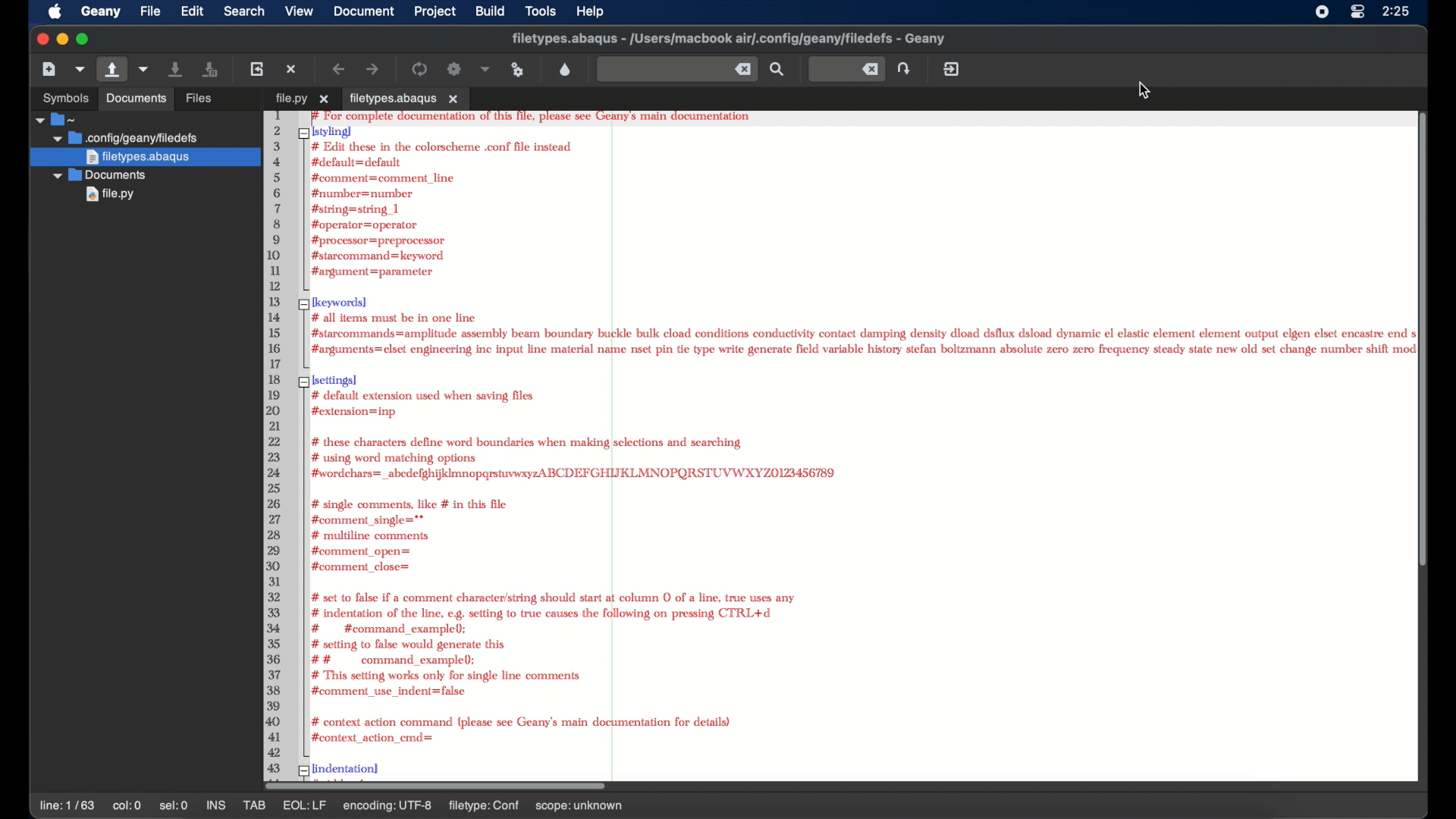 The width and height of the screenshot is (1456, 819). What do you see at coordinates (374, 70) in the screenshot?
I see `navigate forward a location` at bounding box center [374, 70].